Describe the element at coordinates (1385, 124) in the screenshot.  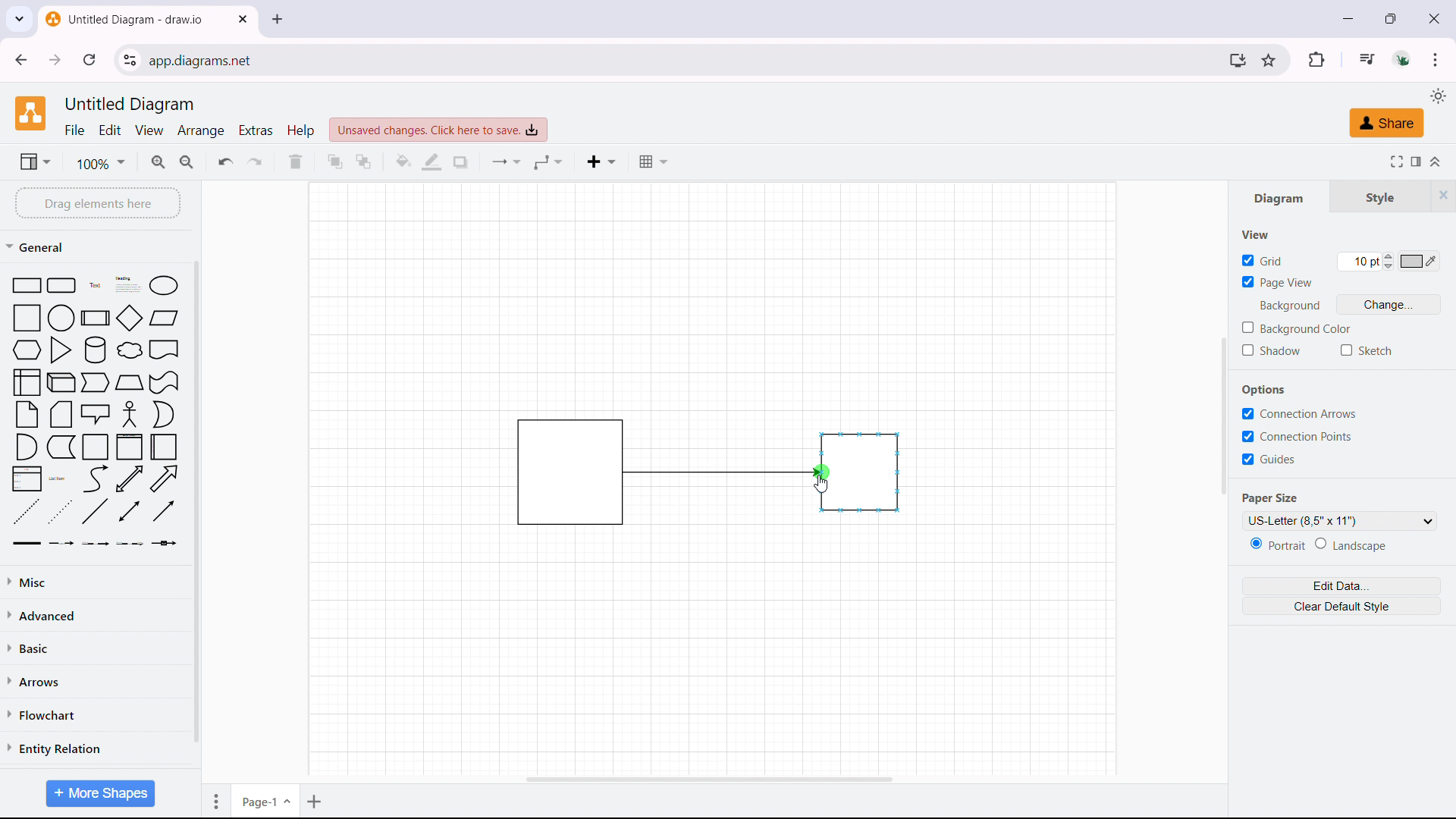
I see `share` at that location.